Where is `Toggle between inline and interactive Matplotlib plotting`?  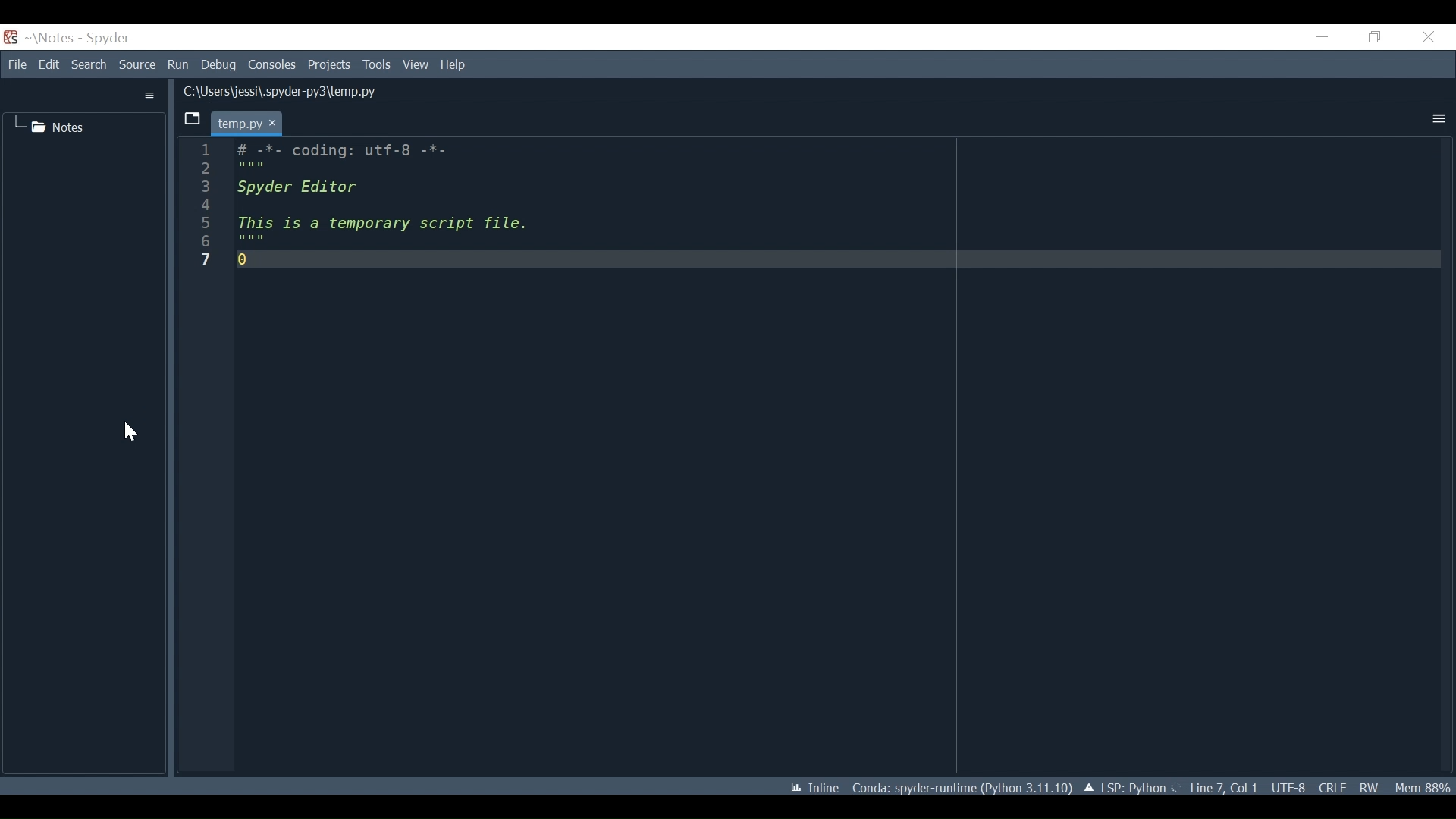 Toggle between inline and interactive Matplotlib plotting is located at coordinates (811, 785).